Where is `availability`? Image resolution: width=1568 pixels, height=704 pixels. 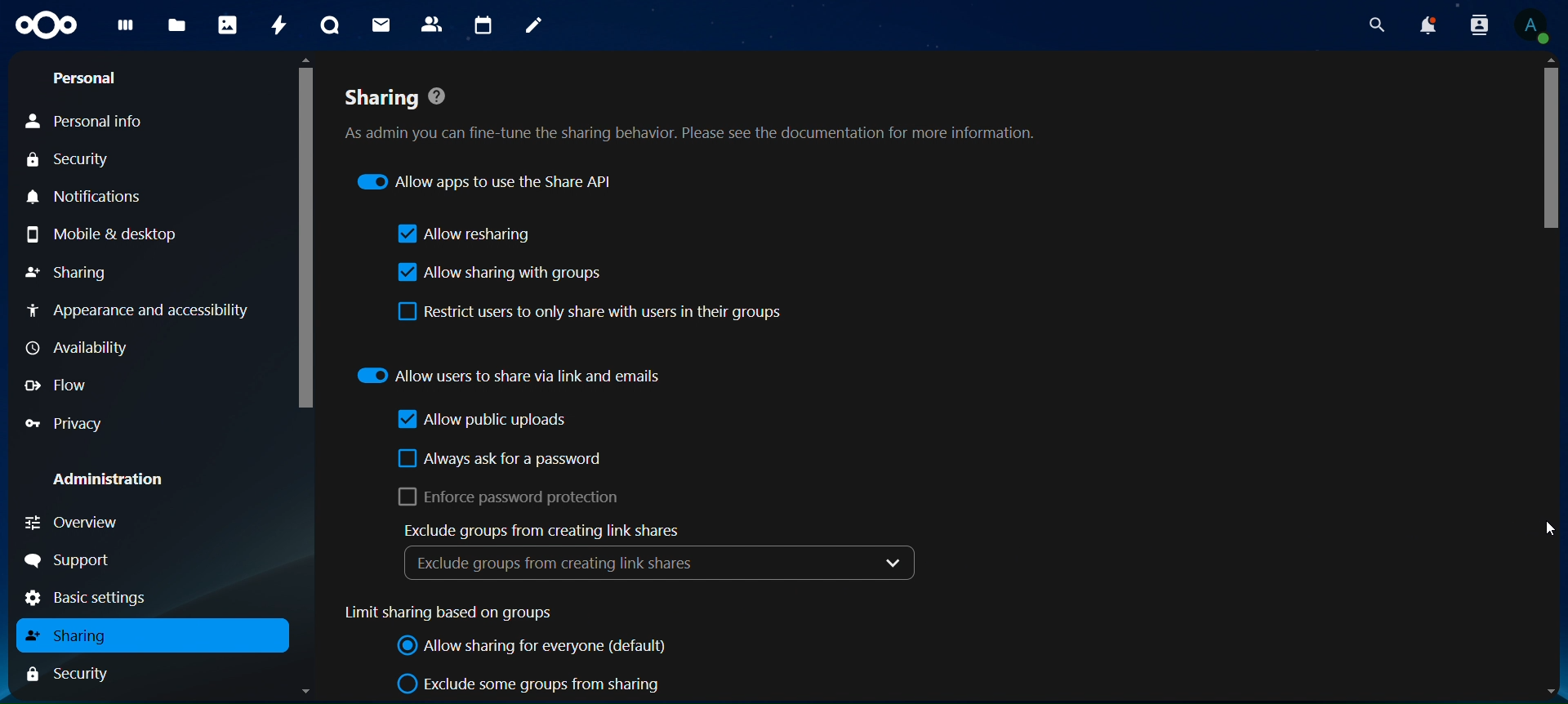
availability is located at coordinates (82, 348).